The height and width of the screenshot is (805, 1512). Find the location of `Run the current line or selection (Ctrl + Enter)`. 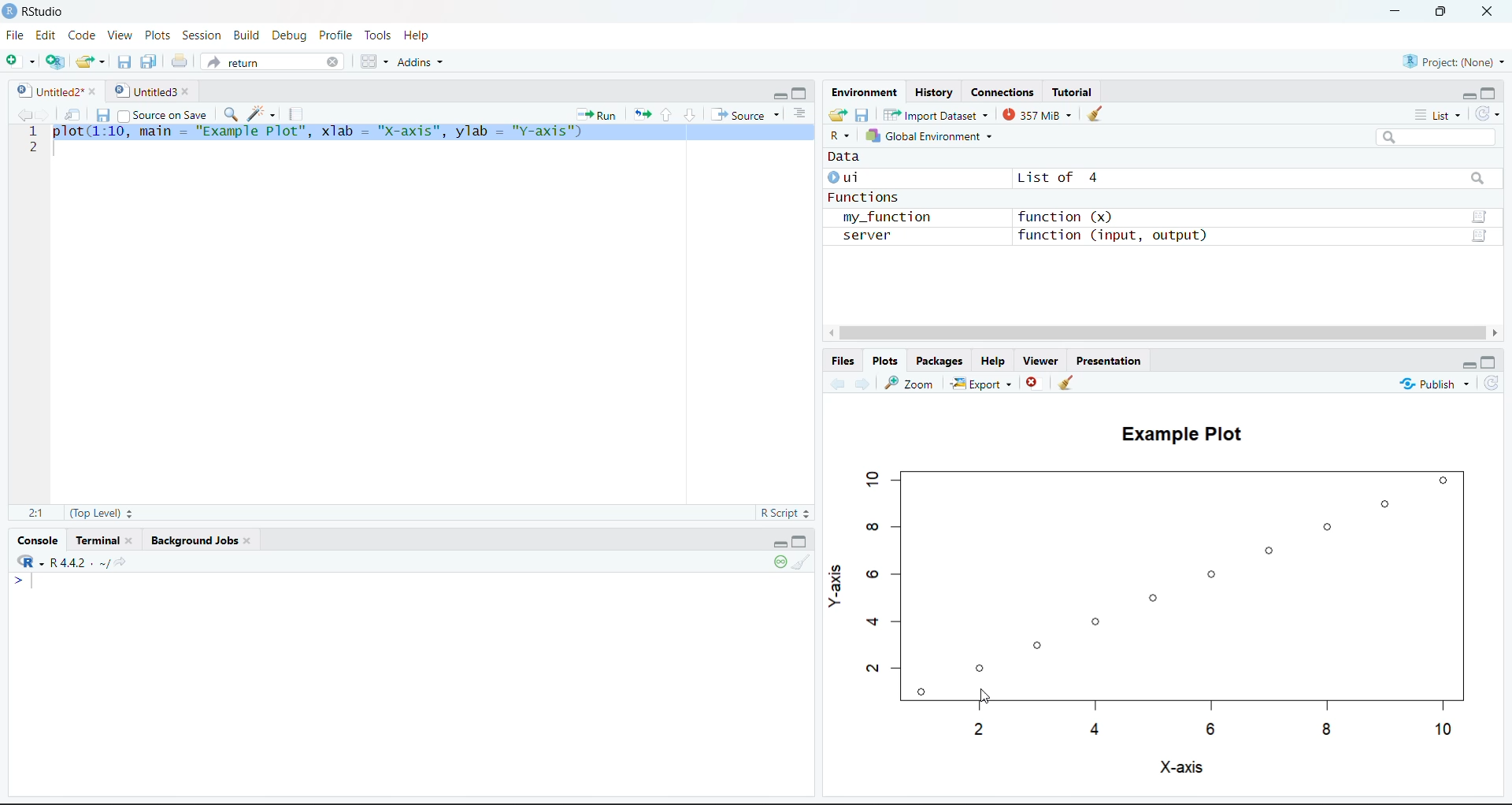

Run the current line or selection (Ctrl + Enter) is located at coordinates (596, 113).